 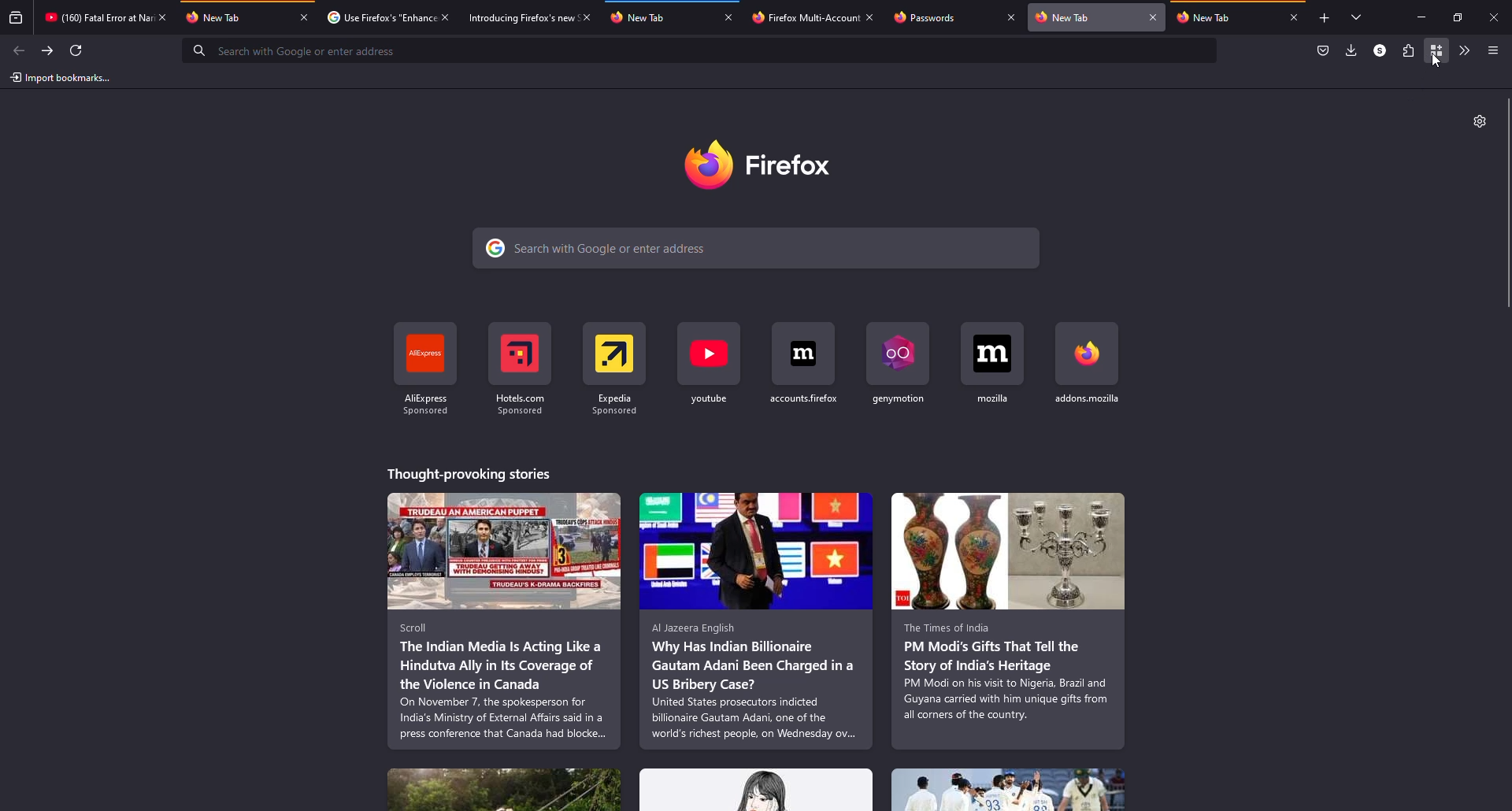 What do you see at coordinates (1321, 19) in the screenshot?
I see `add` at bounding box center [1321, 19].